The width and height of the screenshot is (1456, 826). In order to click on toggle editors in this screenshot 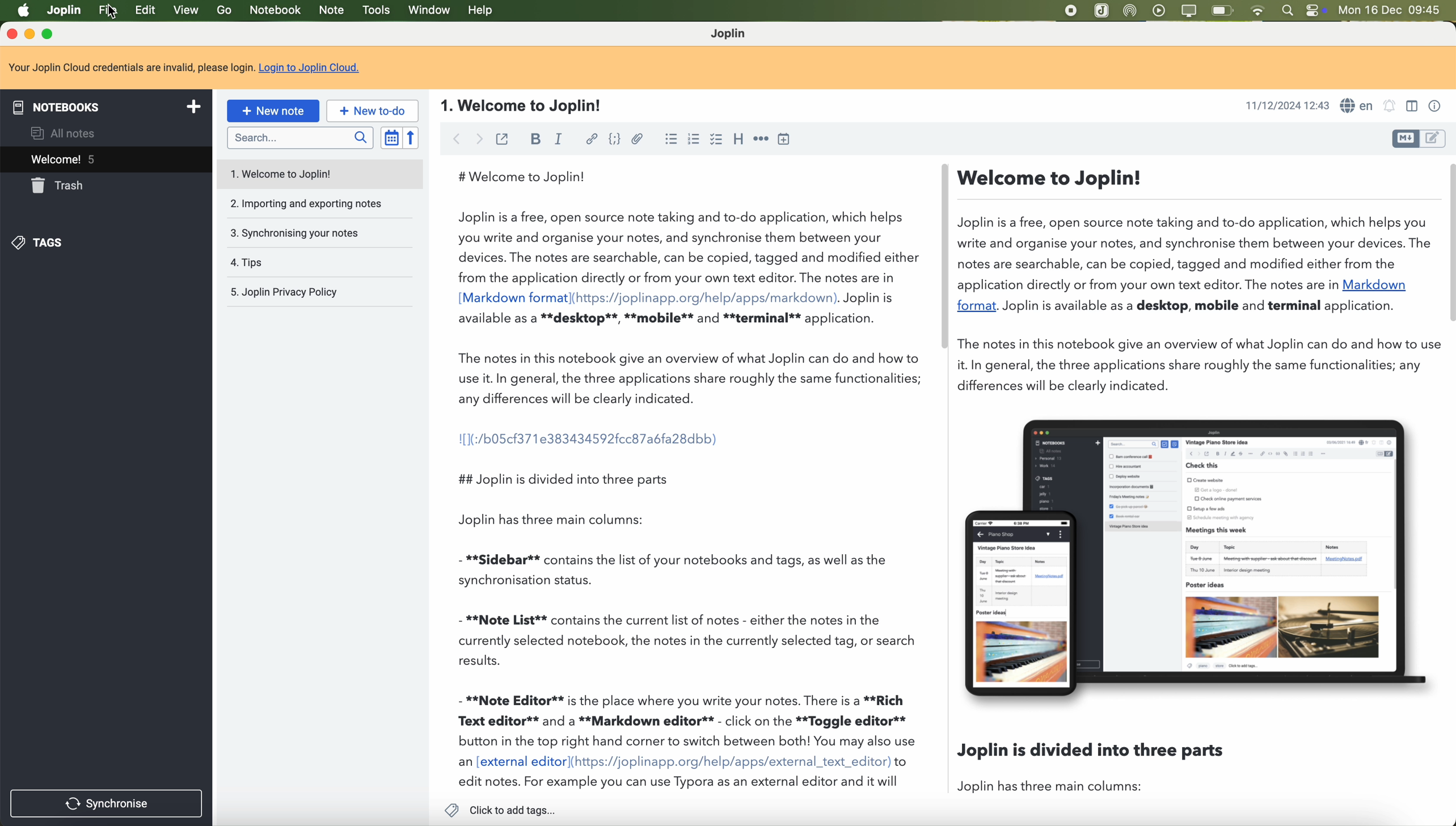, I will do `click(1436, 137)`.